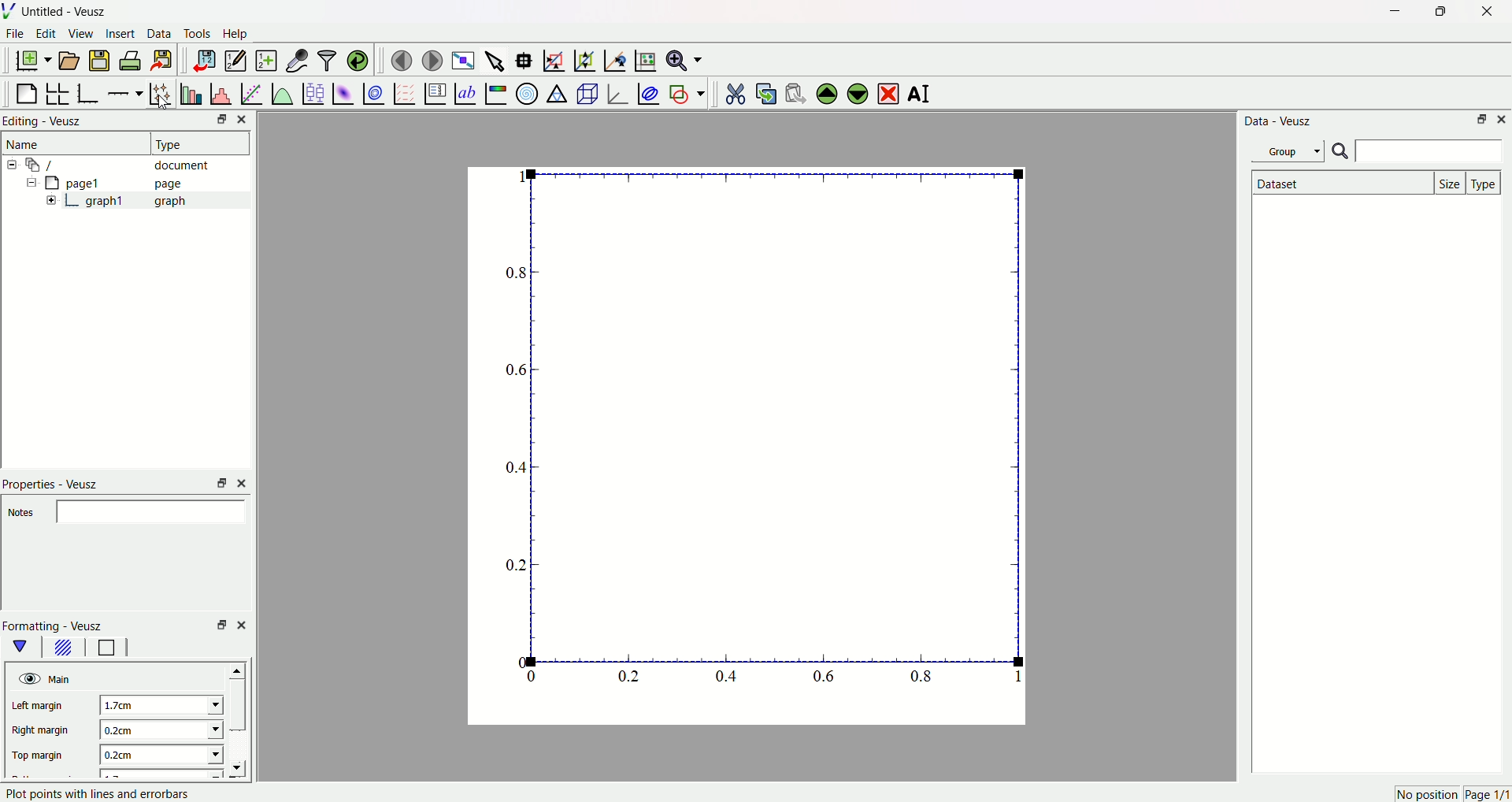 Image resolution: width=1512 pixels, height=802 pixels. I want to click on Logo, so click(12, 12).